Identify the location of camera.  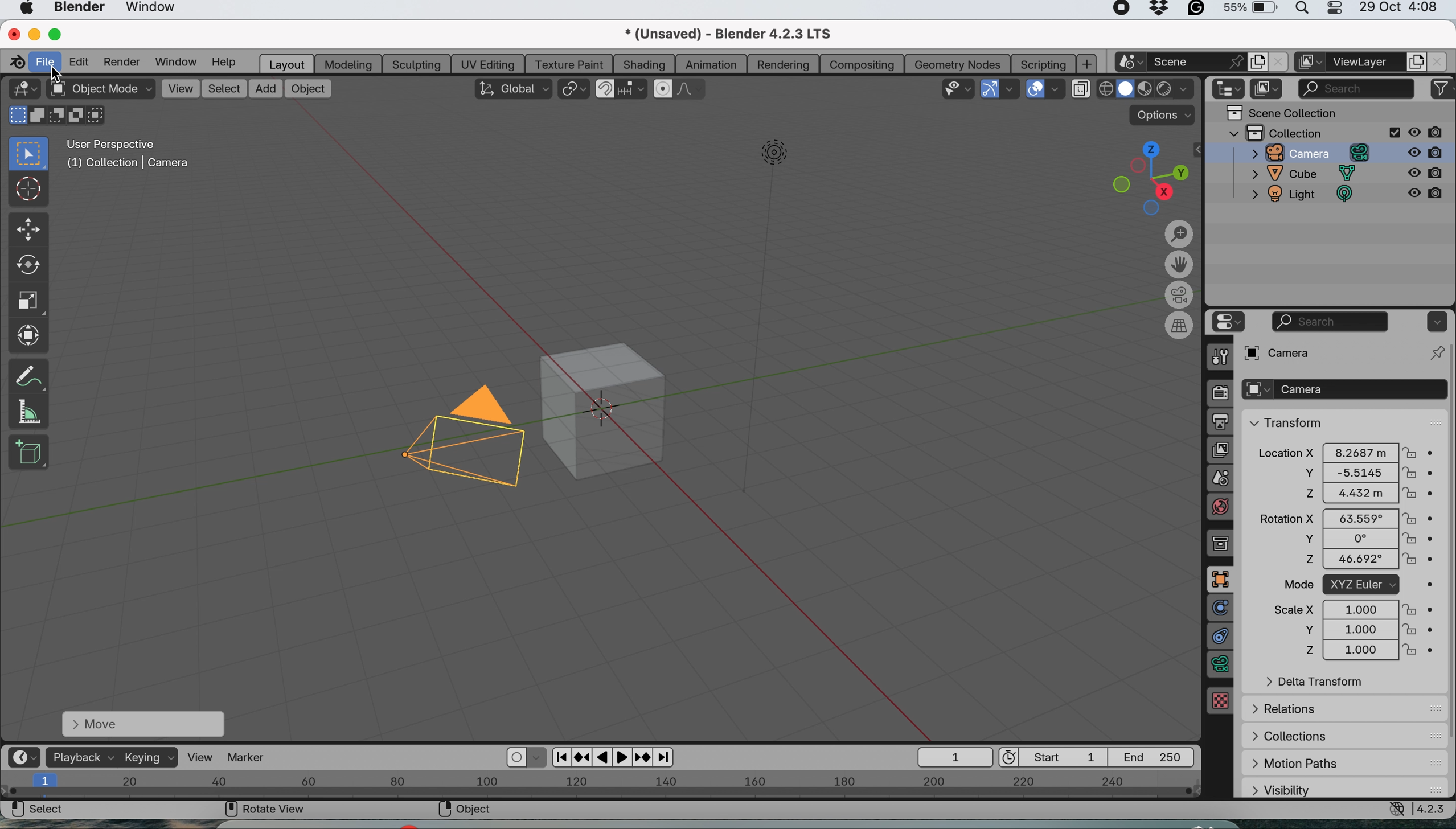
(1343, 389).